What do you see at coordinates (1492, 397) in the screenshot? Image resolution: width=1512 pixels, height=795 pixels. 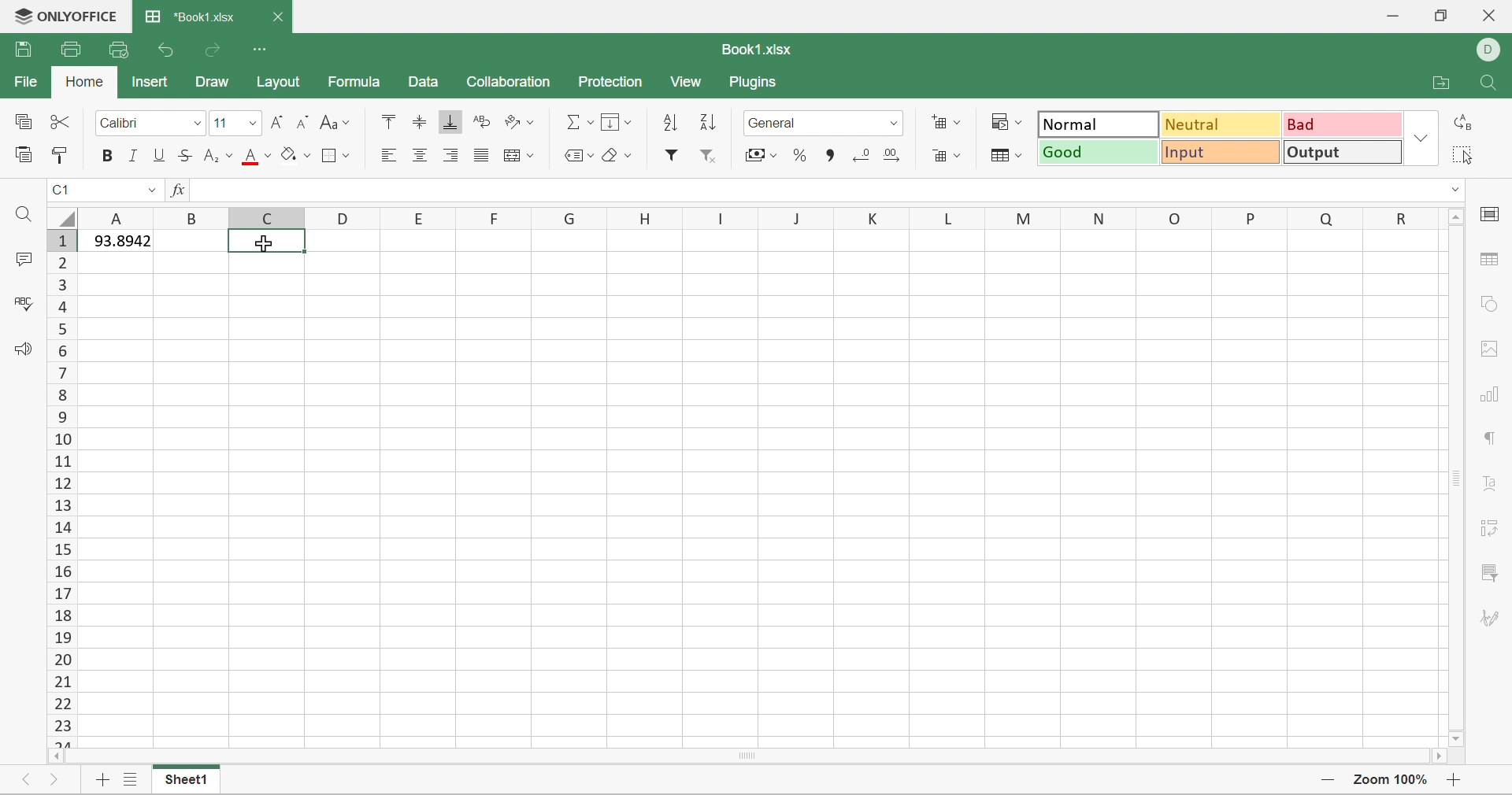 I see `Chart settings` at bounding box center [1492, 397].